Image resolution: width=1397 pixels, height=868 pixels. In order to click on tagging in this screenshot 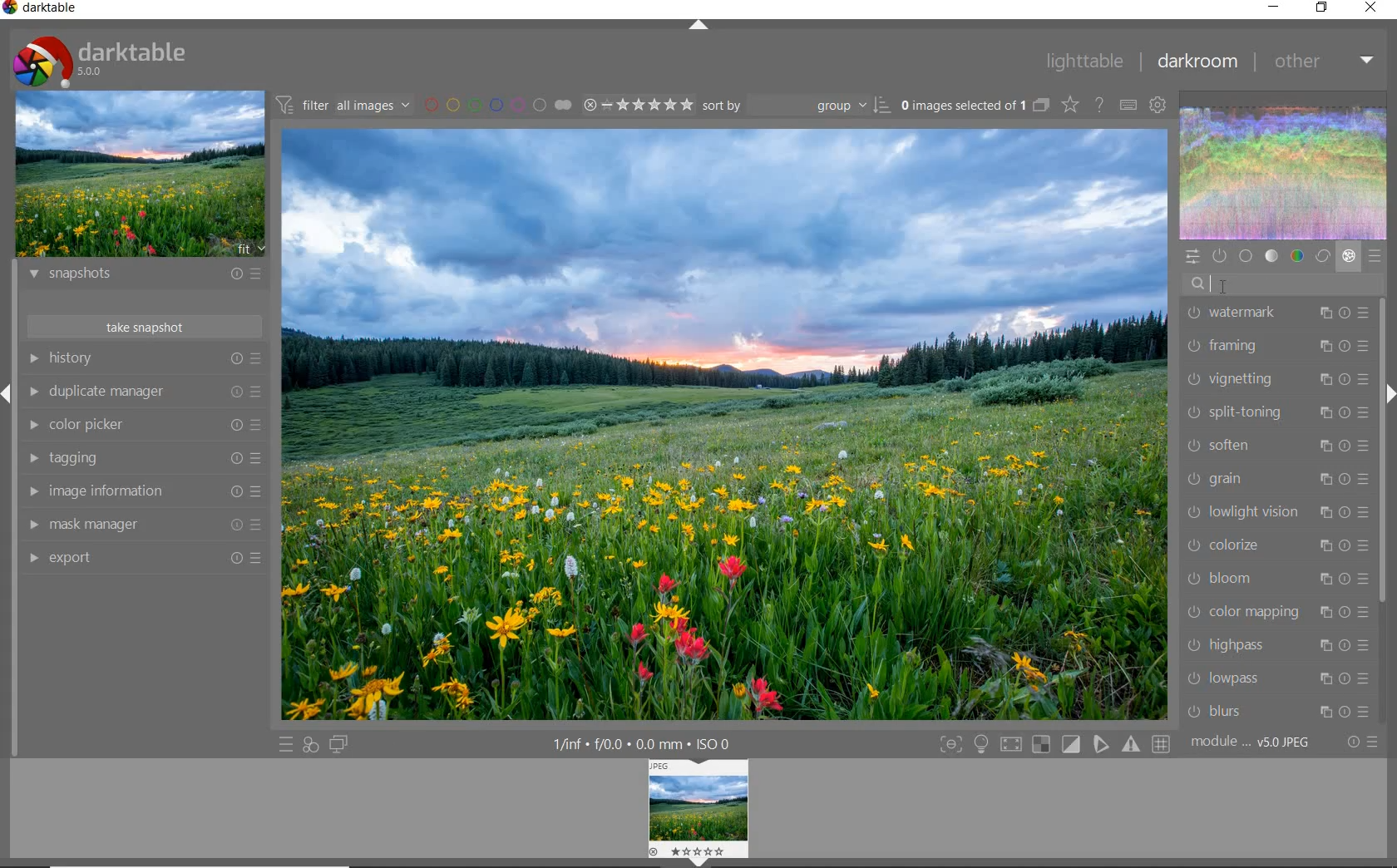, I will do `click(141, 457)`.